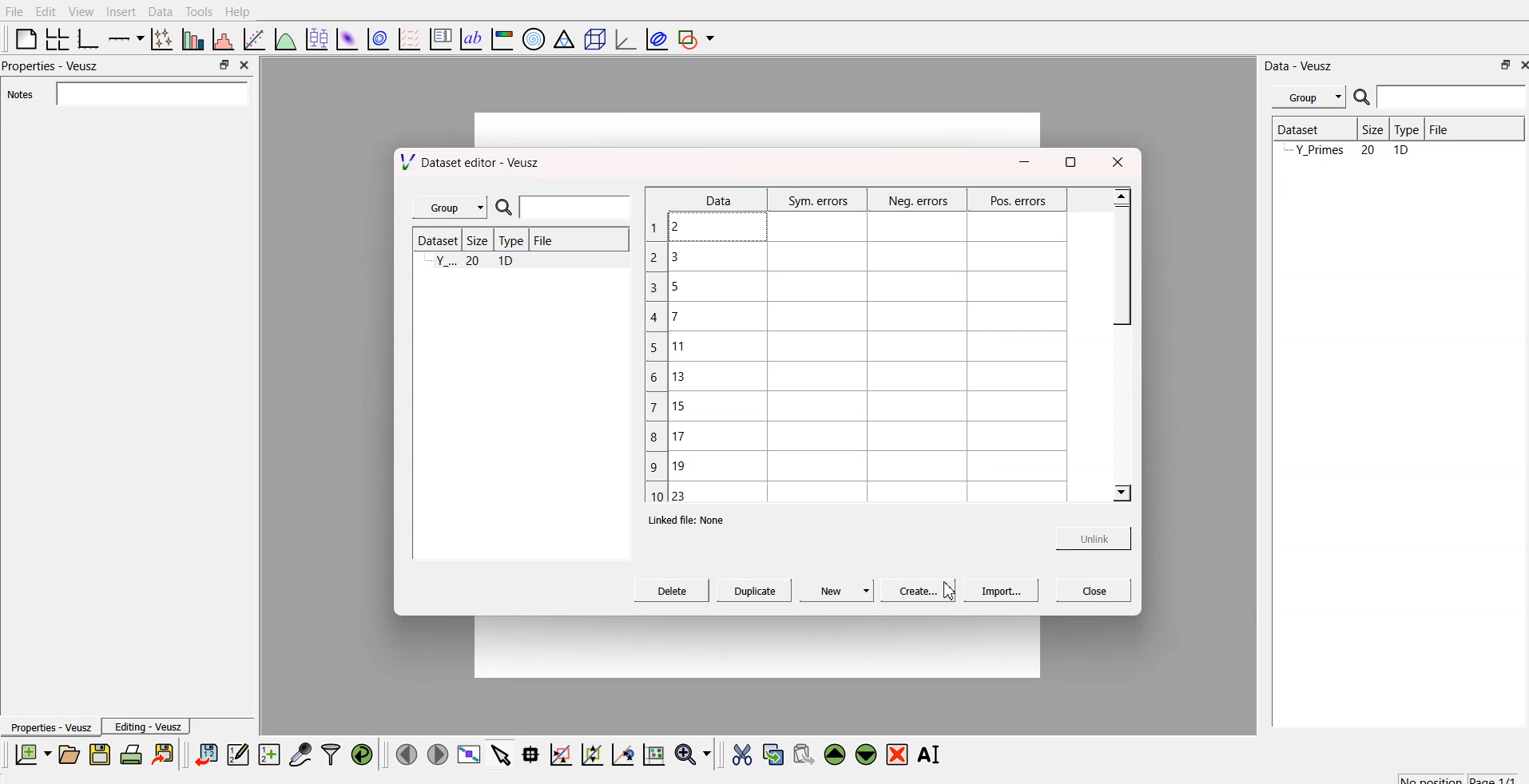 Image resolution: width=1529 pixels, height=784 pixels. Describe the element at coordinates (502, 41) in the screenshot. I see `image color bar ` at that location.